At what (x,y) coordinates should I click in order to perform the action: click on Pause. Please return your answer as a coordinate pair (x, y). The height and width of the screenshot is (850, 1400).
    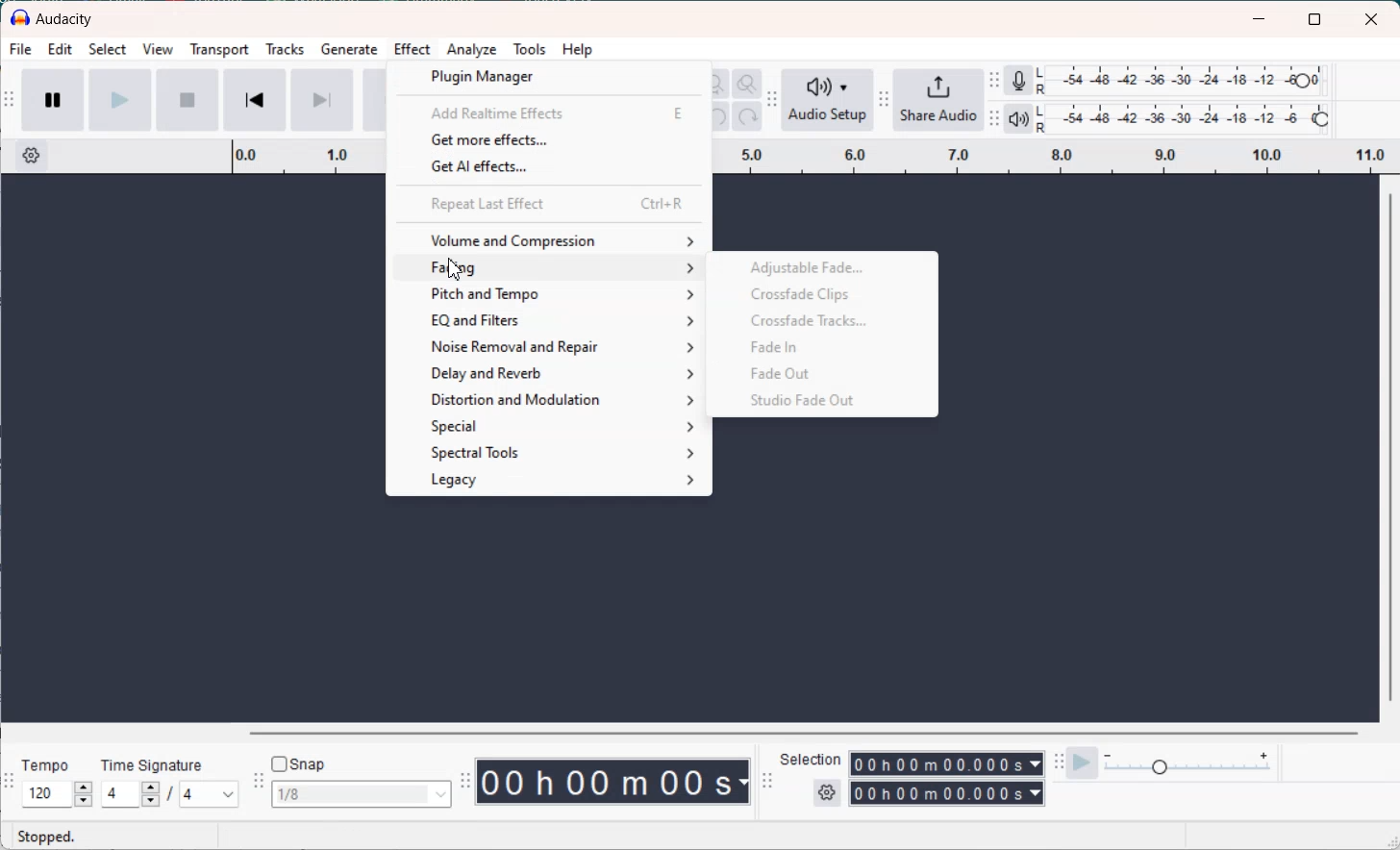
    Looking at the image, I should click on (52, 102).